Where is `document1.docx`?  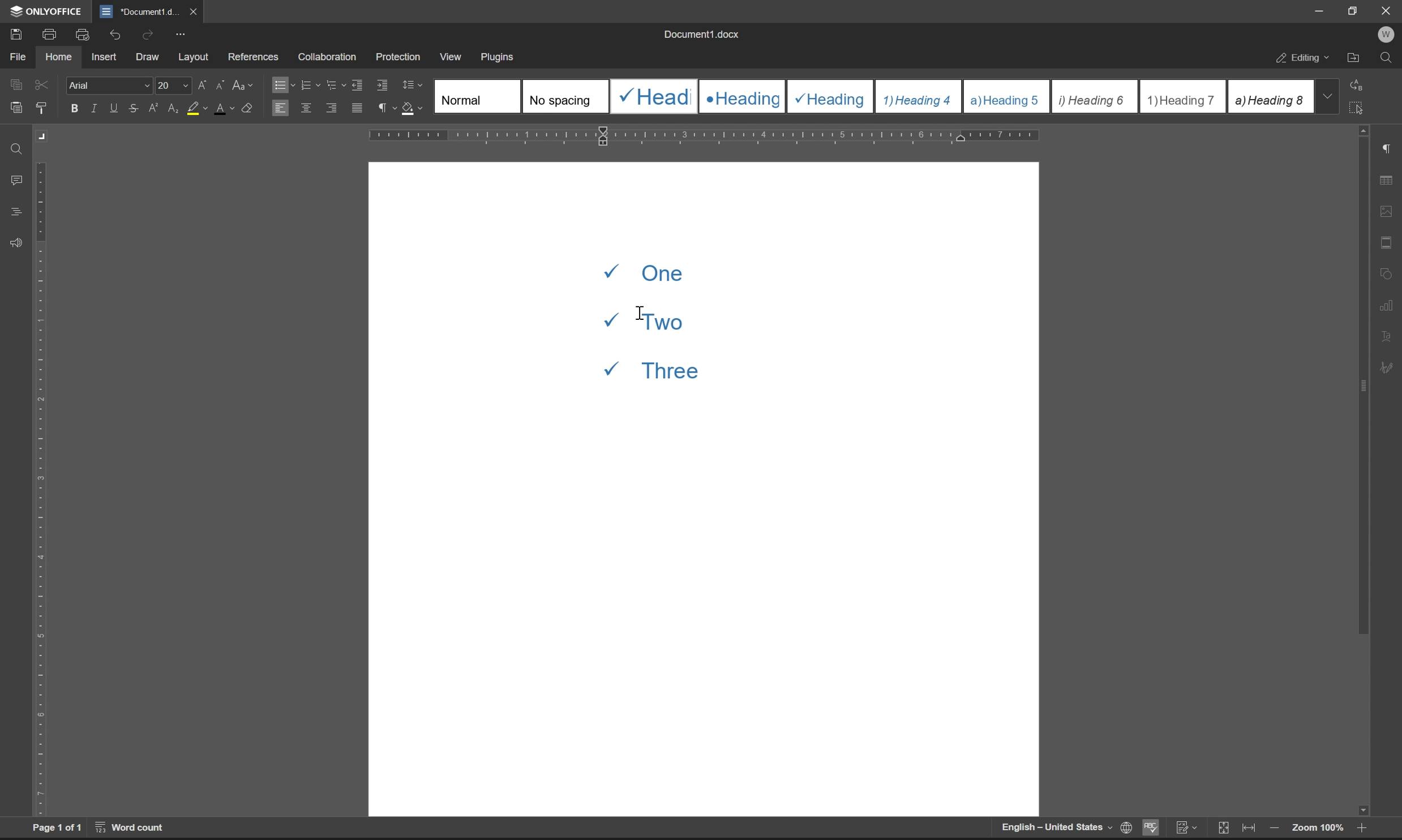
document1.docx is located at coordinates (700, 34).